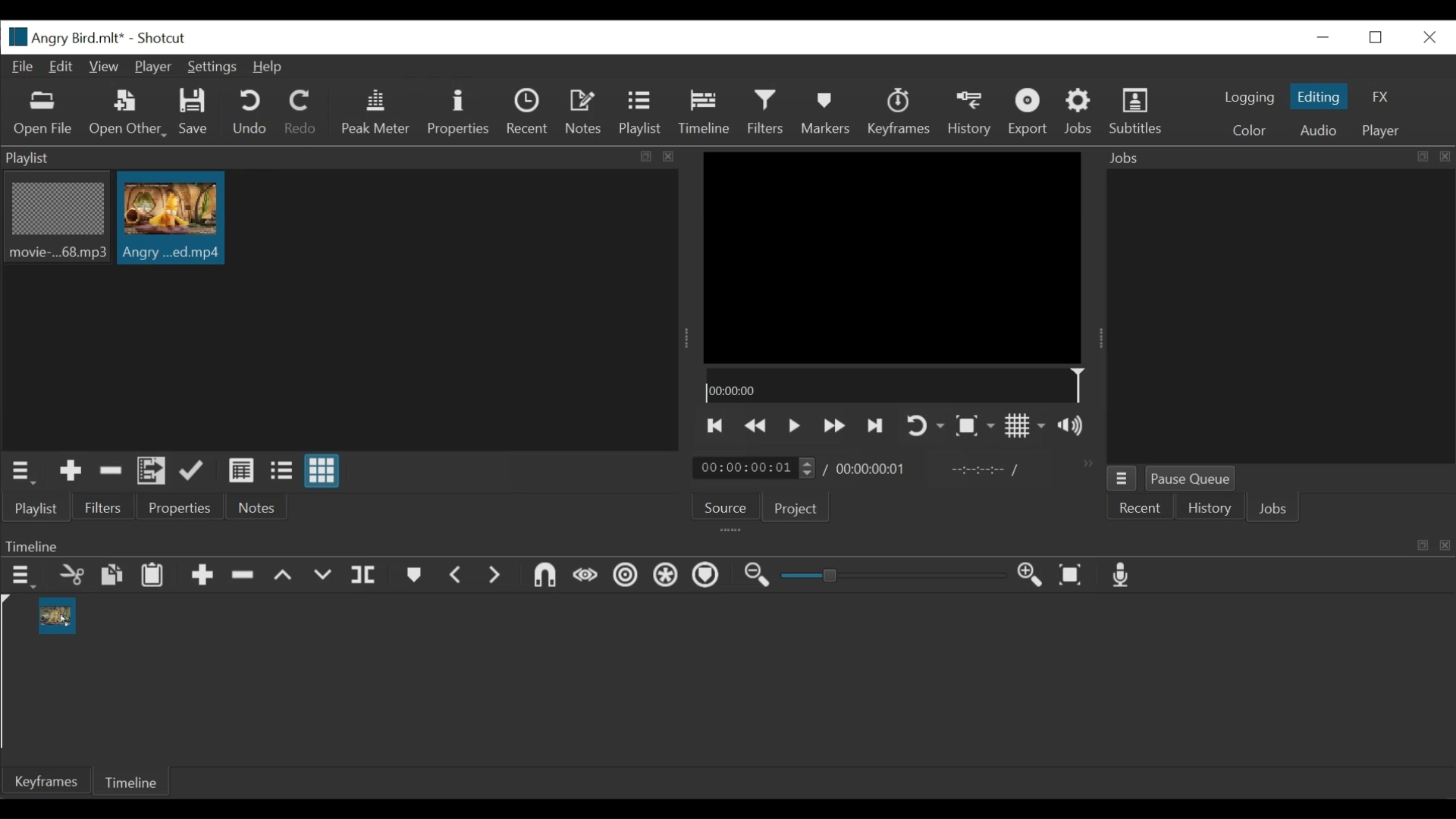  What do you see at coordinates (284, 473) in the screenshot?
I see `View as file` at bounding box center [284, 473].